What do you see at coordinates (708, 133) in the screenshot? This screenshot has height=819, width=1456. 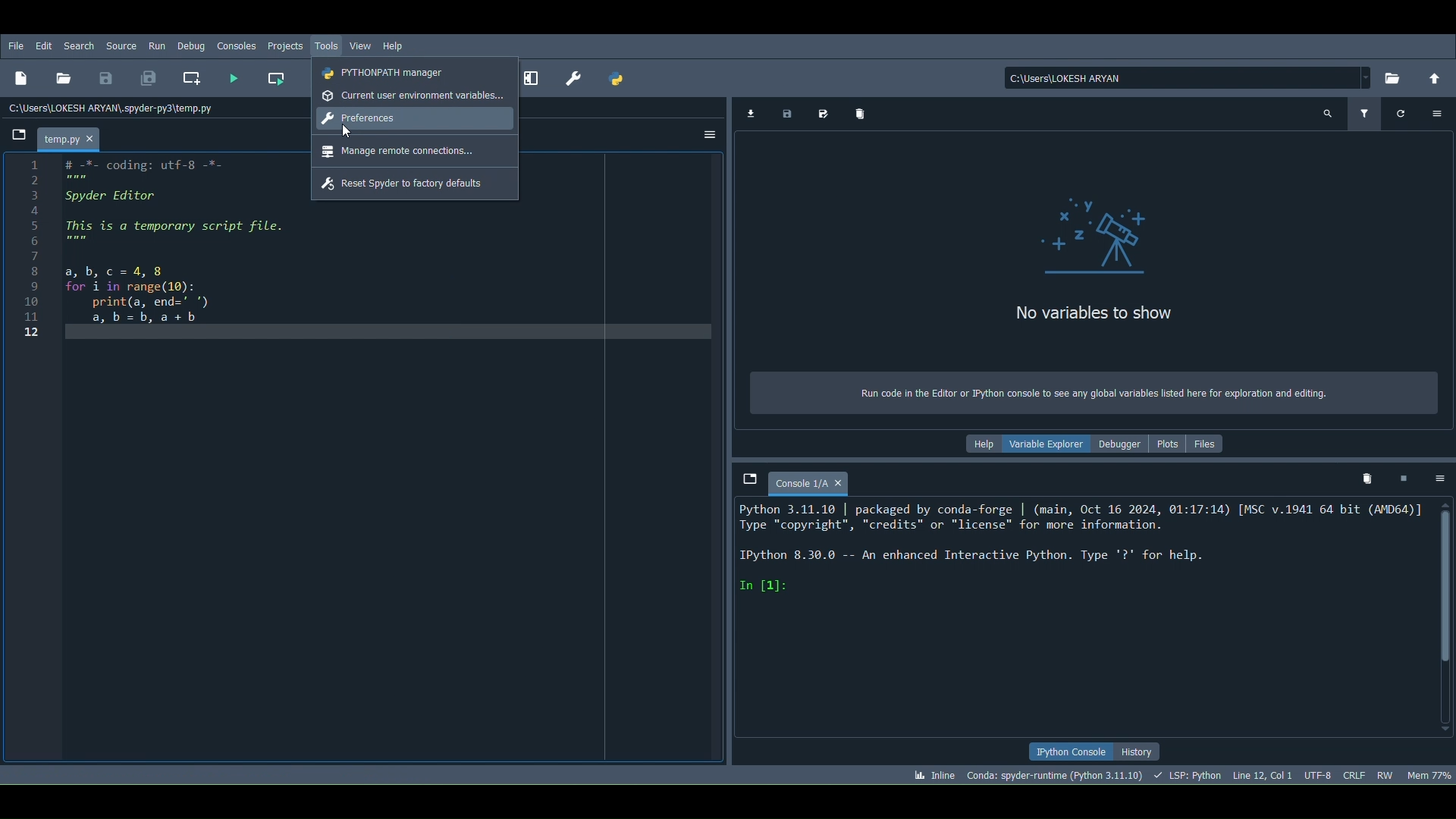 I see `Options` at bounding box center [708, 133].